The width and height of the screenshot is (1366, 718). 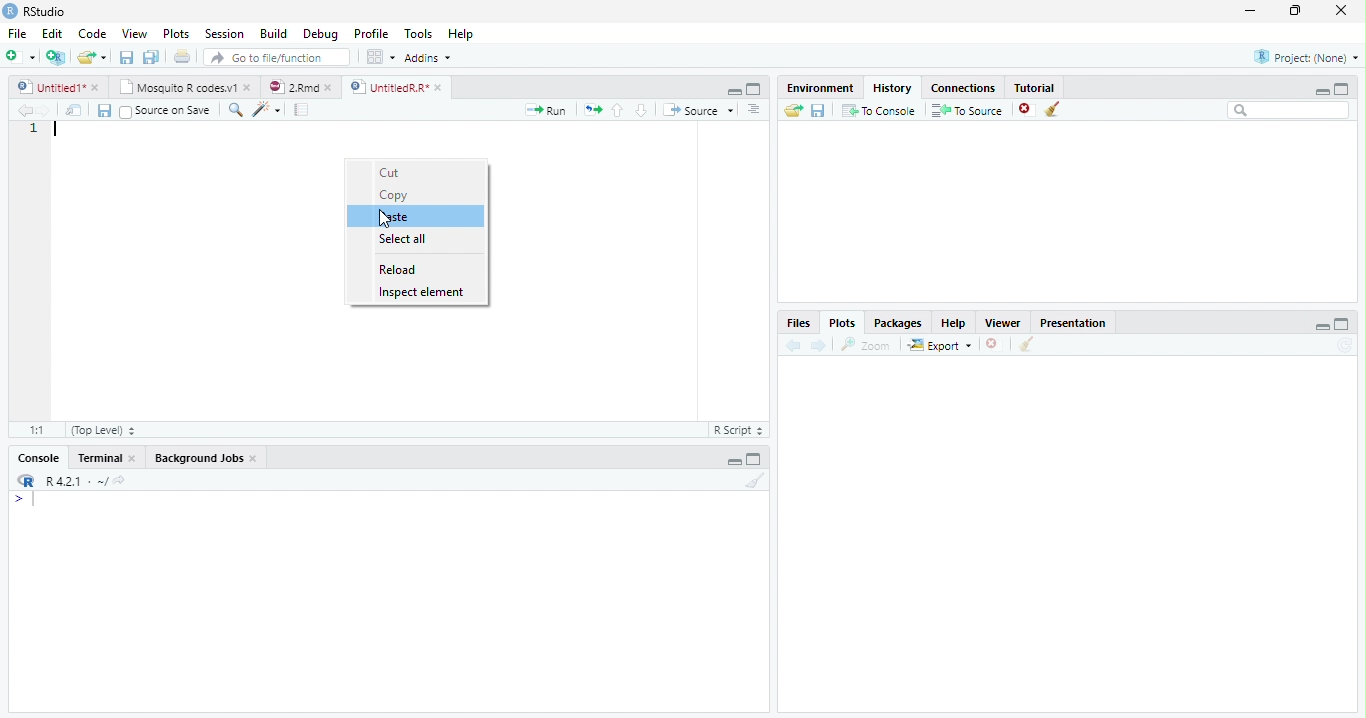 What do you see at coordinates (1321, 89) in the screenshot?
I see `Minimize` at bounding box center [1321, 89].